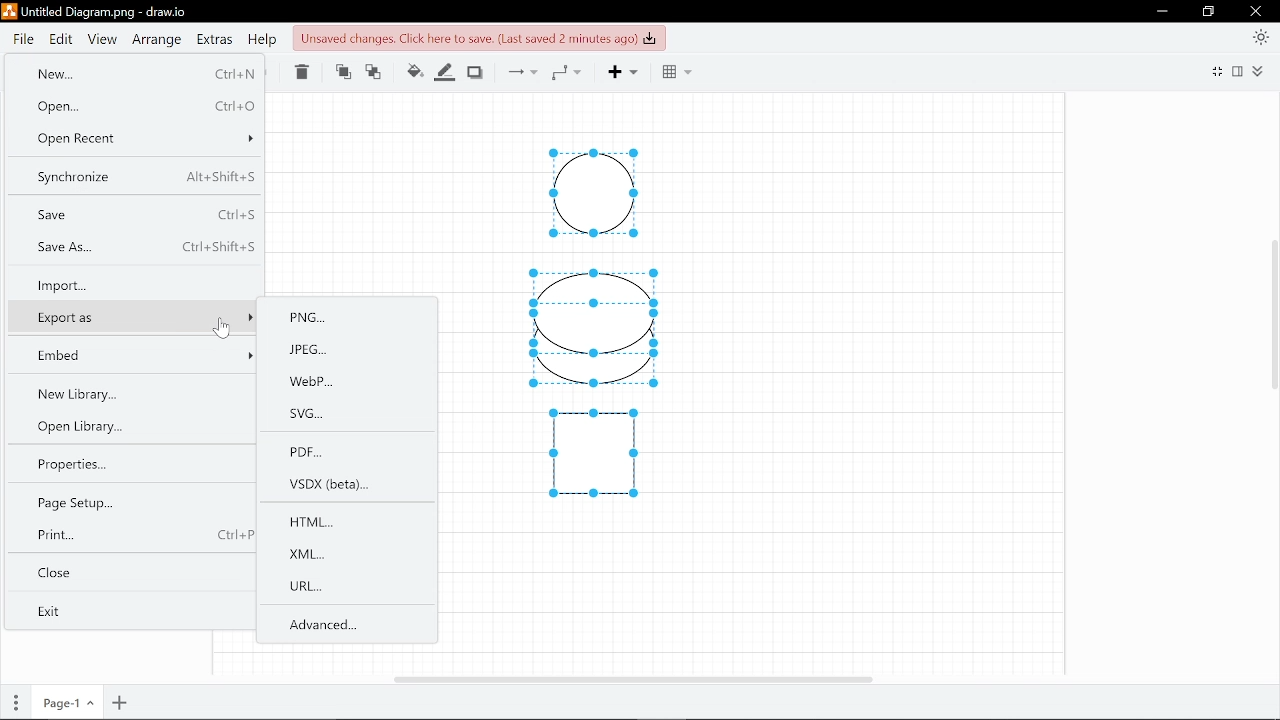 This screenshot has height=720, width=1280. Describe the element at coordinates (477, 72) in the screenshot. I see `Shadow` at that location.